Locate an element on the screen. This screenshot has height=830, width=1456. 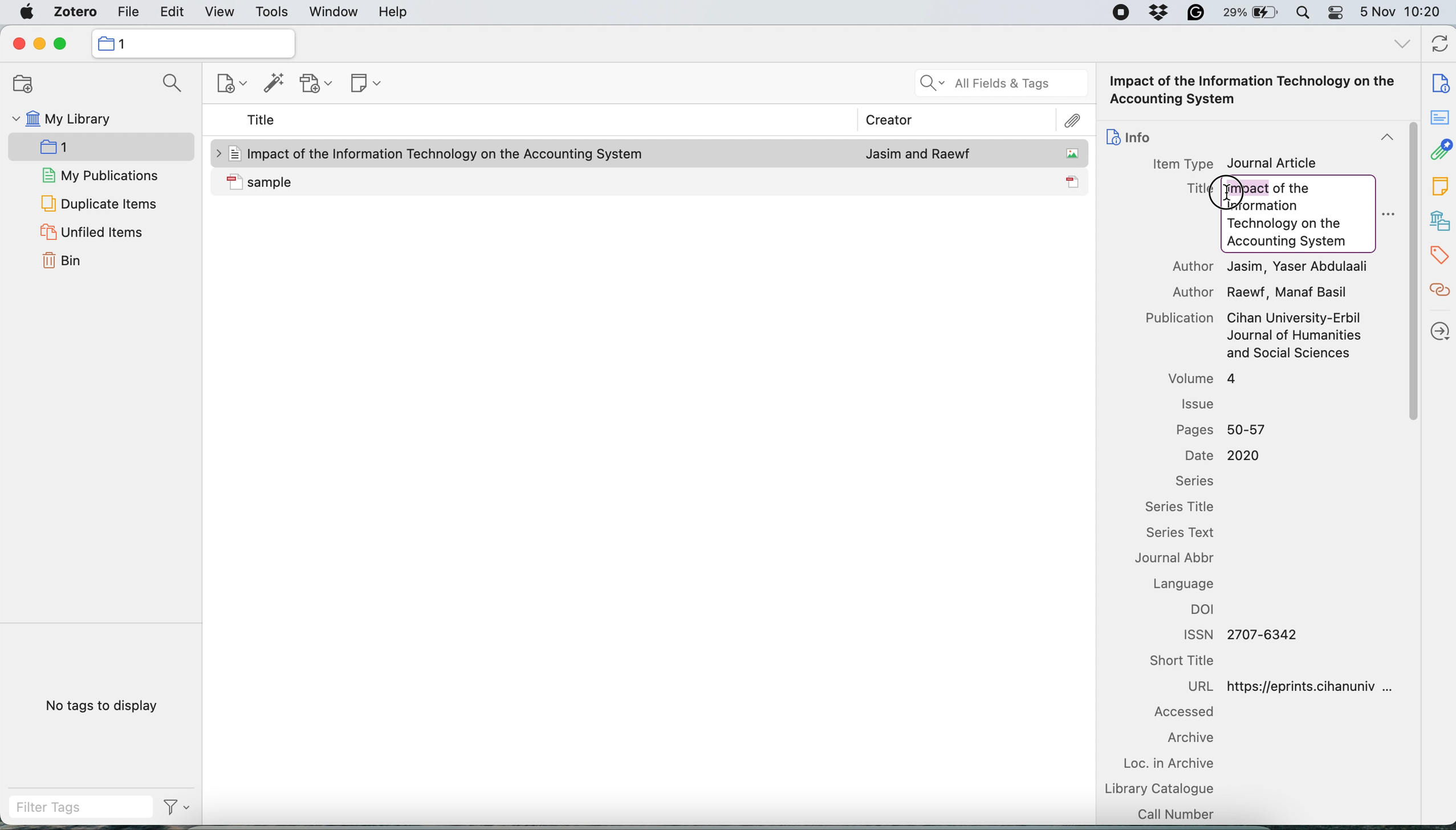
vertical scroll bar is located at coordinates (1410, 272).